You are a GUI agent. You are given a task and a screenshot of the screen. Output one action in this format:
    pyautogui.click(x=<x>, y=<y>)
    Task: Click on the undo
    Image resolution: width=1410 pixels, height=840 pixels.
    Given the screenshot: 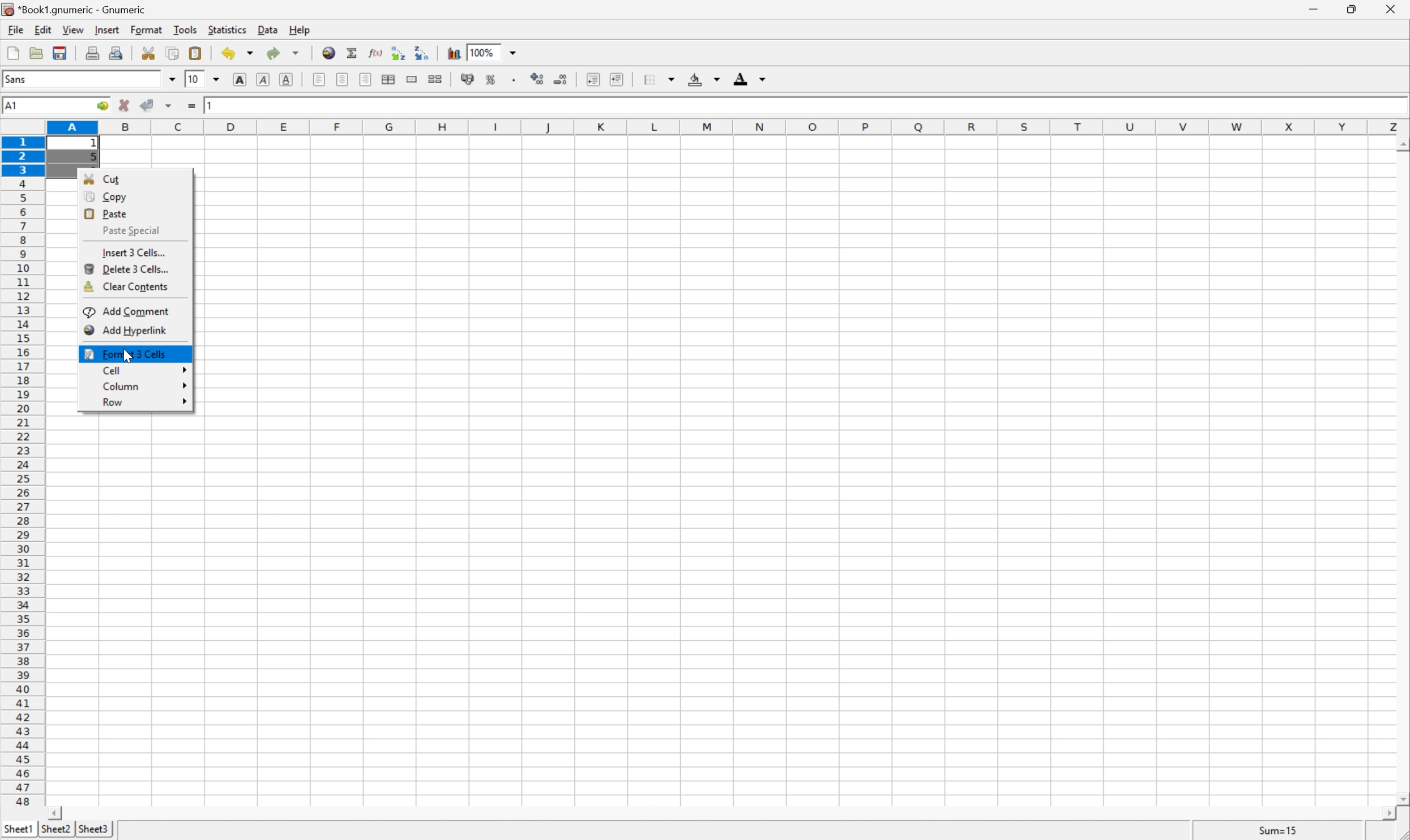 What is the action you would take?
    pyautogui.click(x=239, y=55)
    